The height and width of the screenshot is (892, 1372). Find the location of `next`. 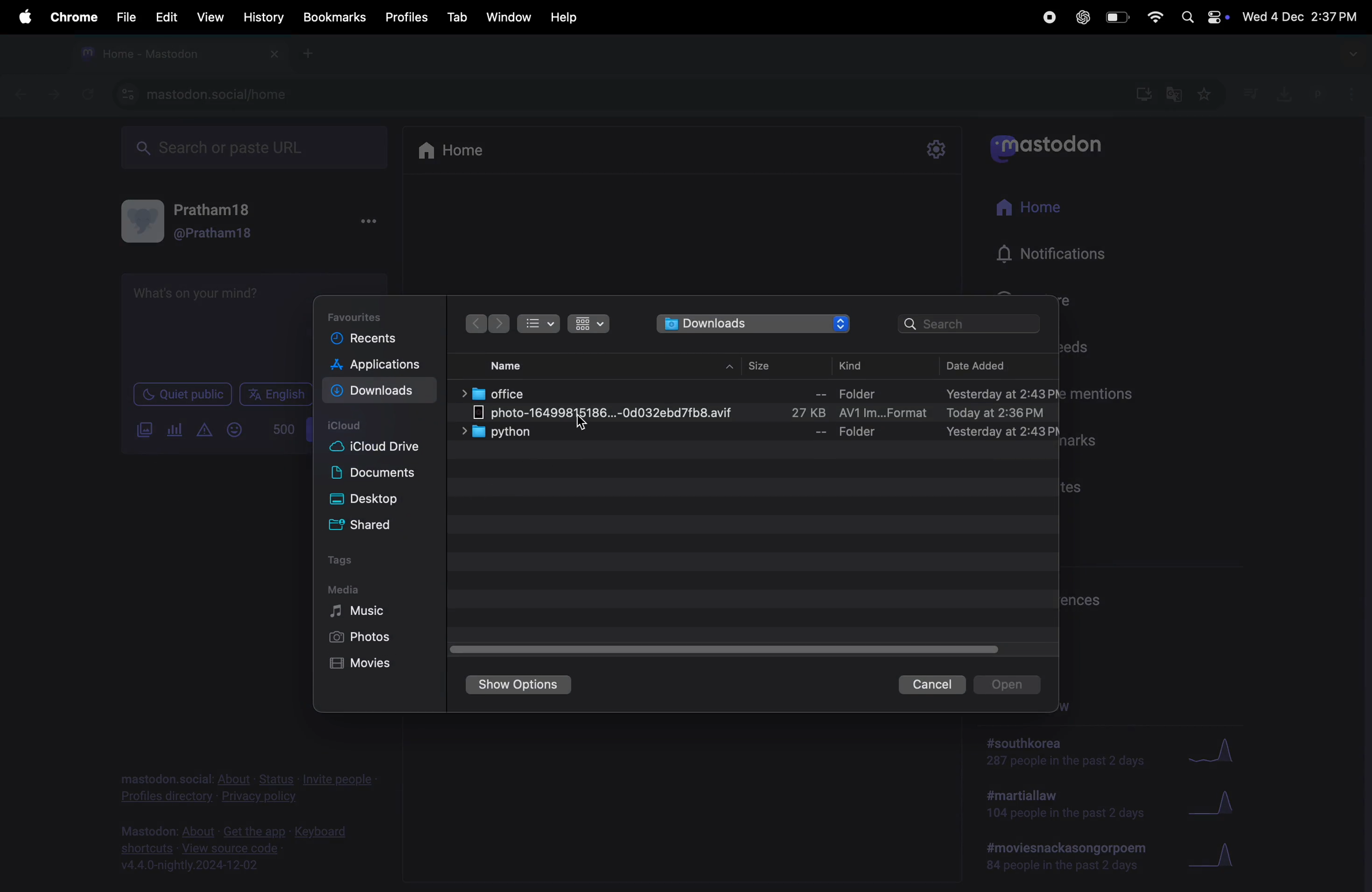

next is located at coordinates (499, 324).